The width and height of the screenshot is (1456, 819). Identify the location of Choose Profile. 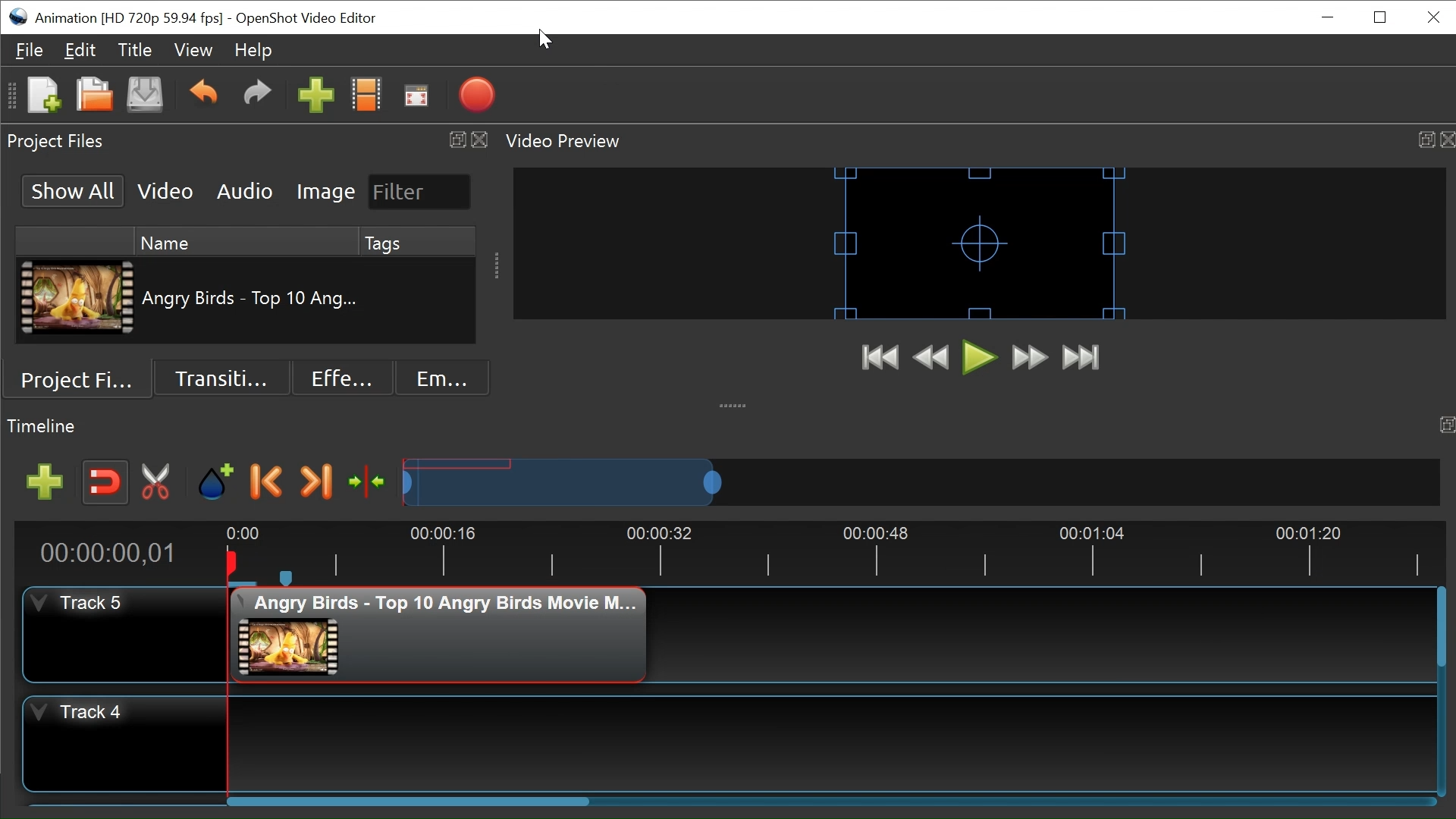
(368, 97).